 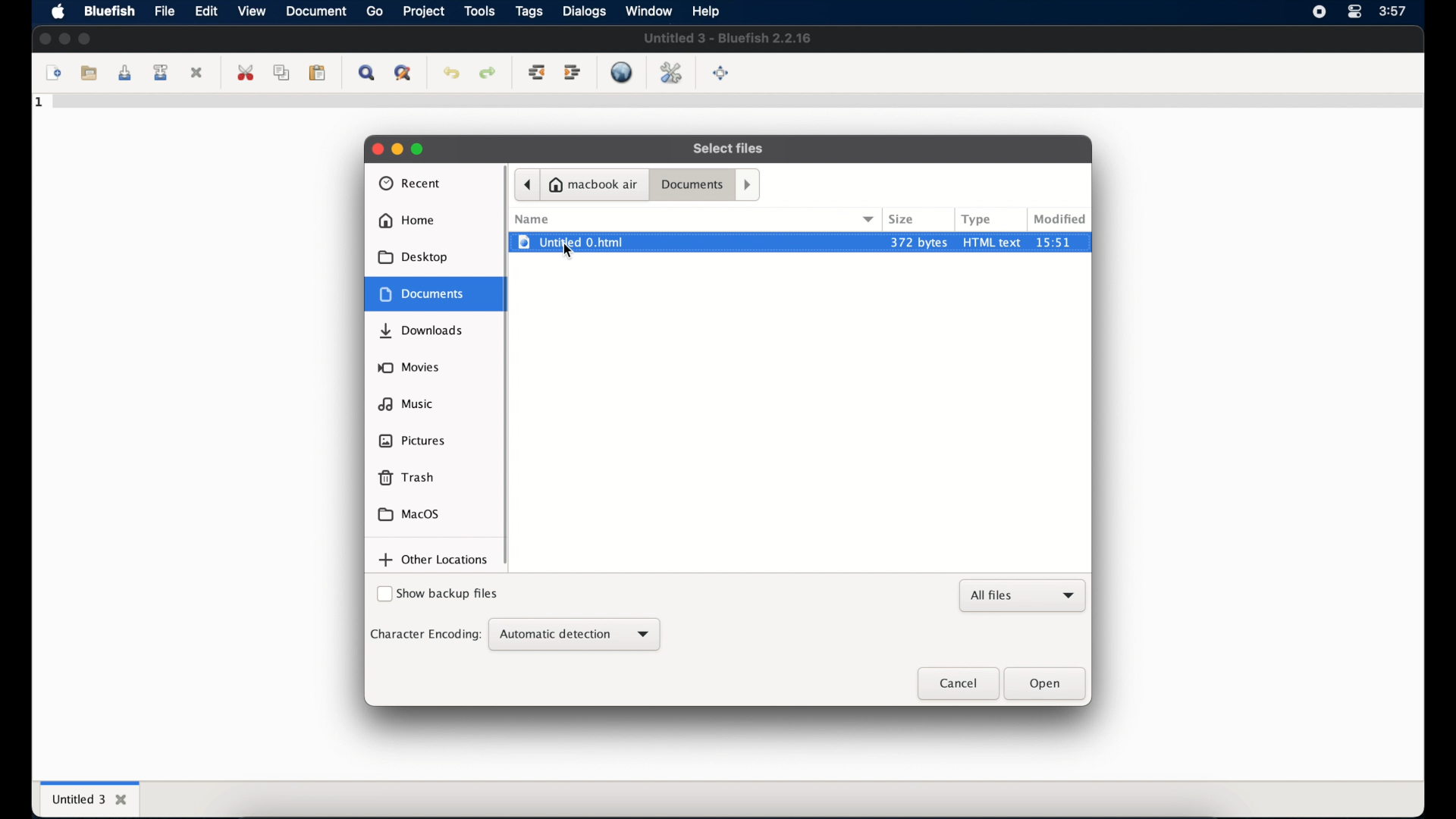 What do you see at coordinates (736, 104) in the screenshot?
I see `code line` at bounding box center [736, 104].